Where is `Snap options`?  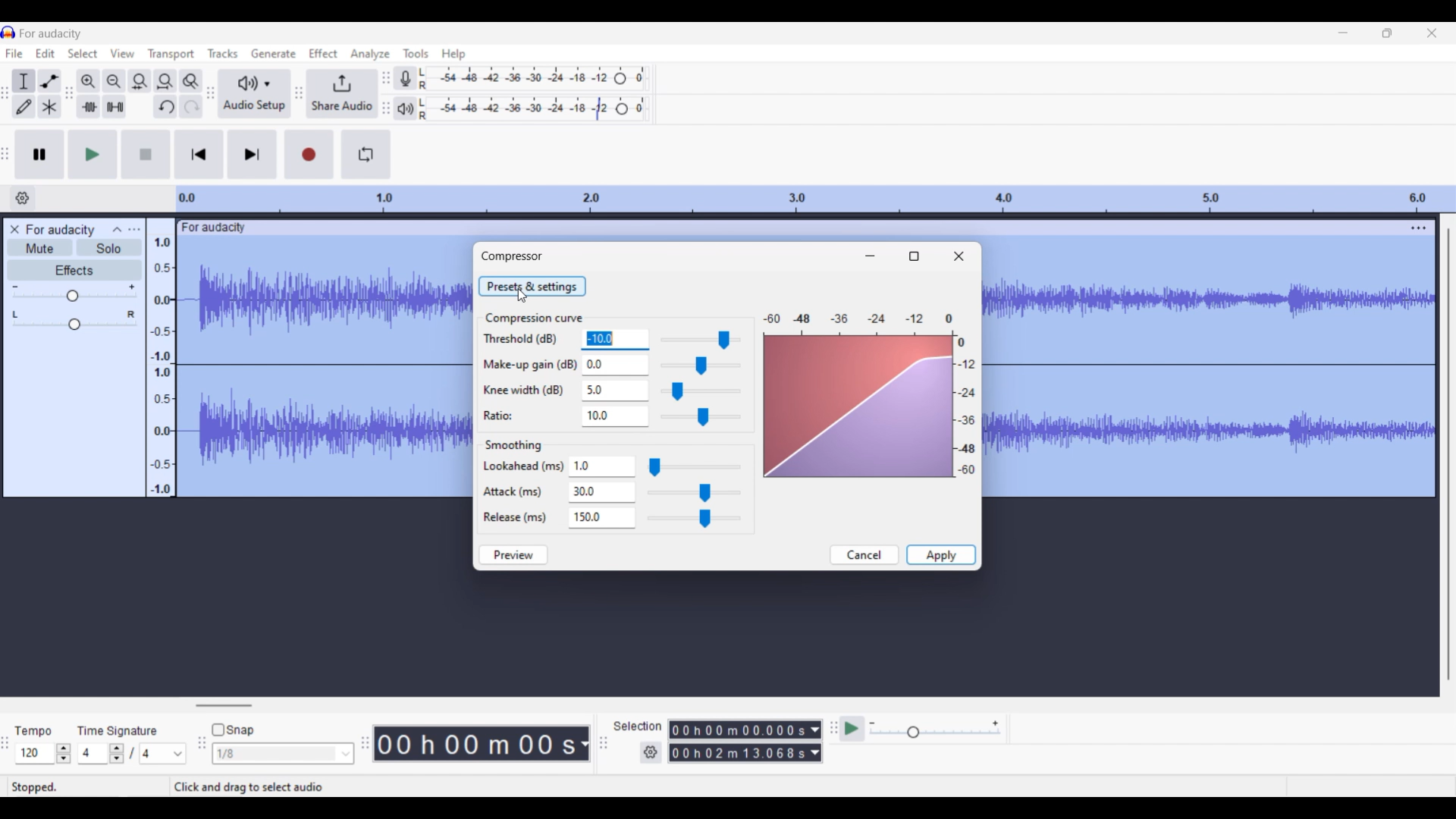
Snap options is located at coordinates (284, 753).